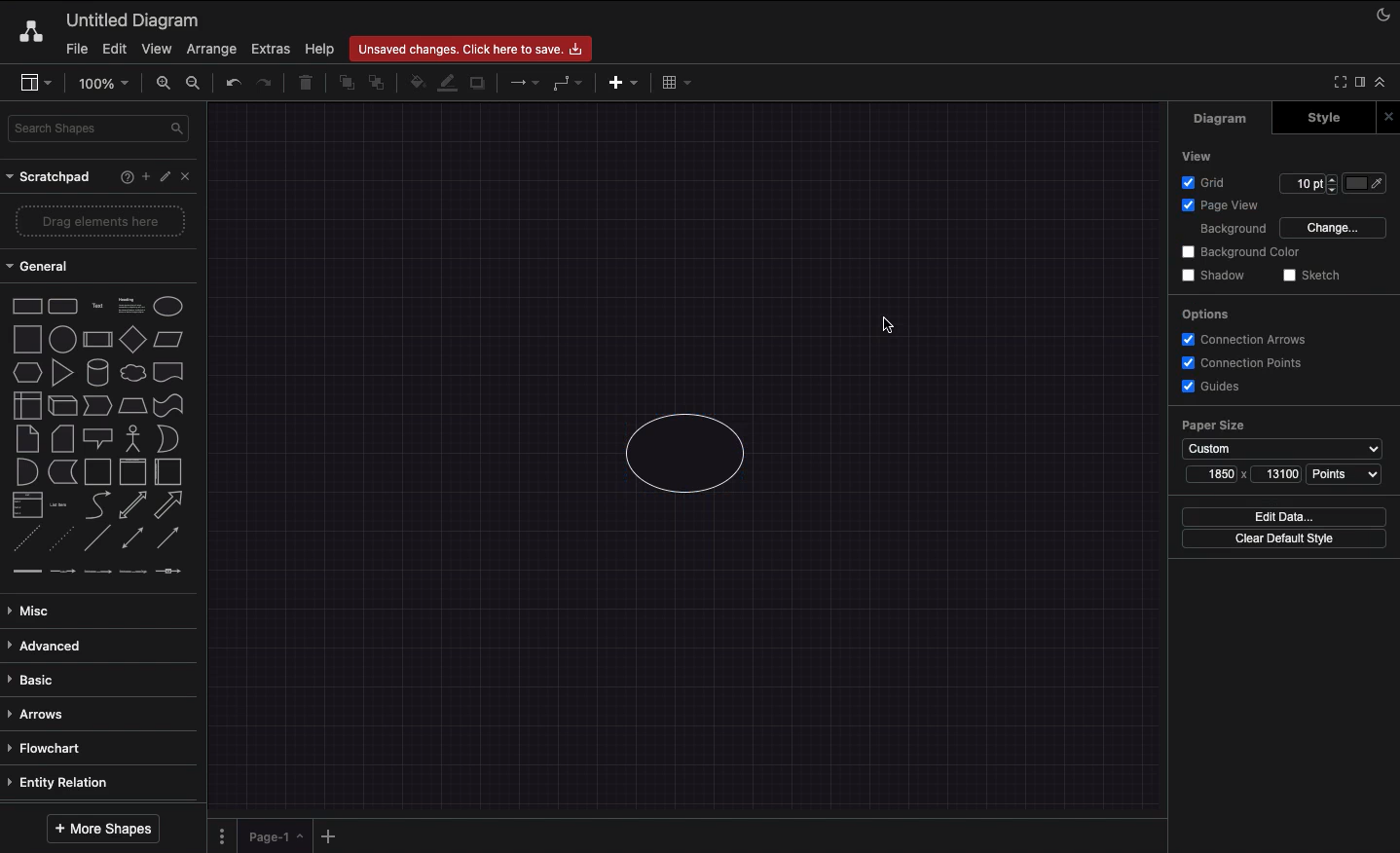 The height and width of the screenshot is (853, 1400). I want to click on Grid, so click(1208, 182).